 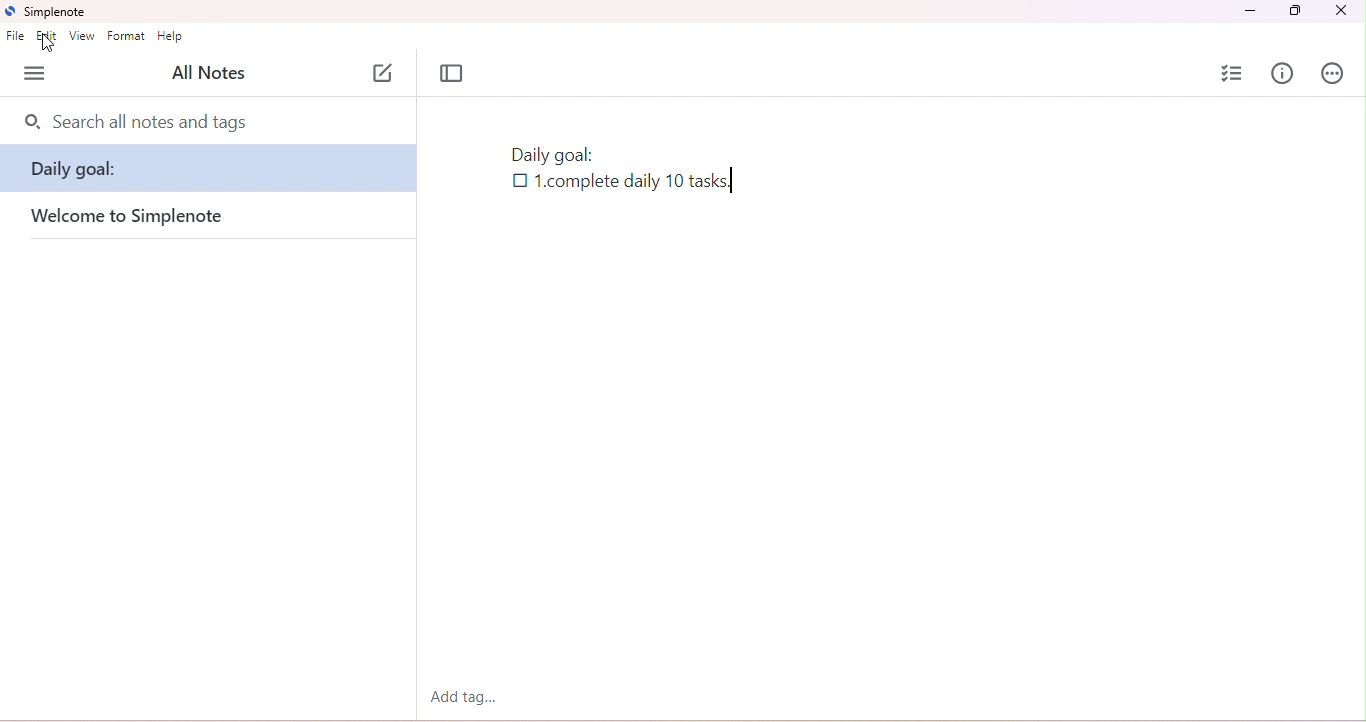 What do you see at coordinates (127, 36) in the screenshot?
I see `format` at bounding box center [127, 36].